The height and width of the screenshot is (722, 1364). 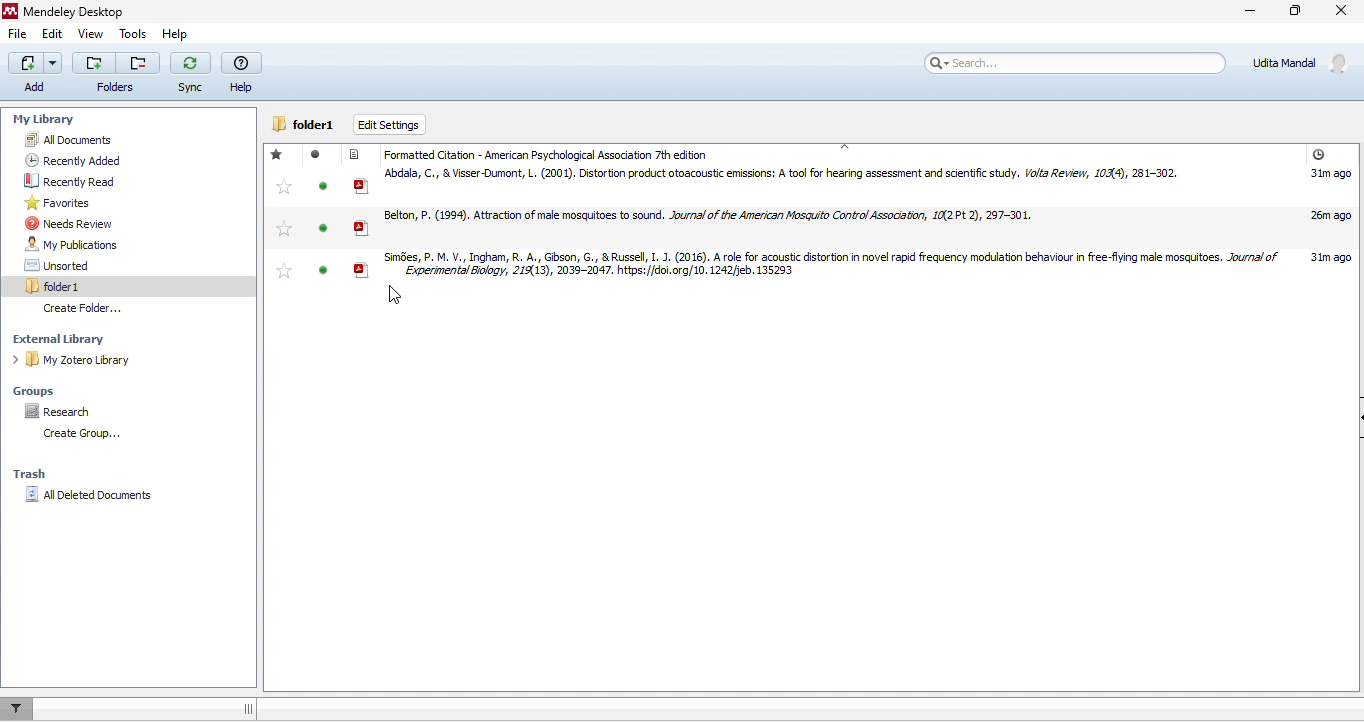 What do you see at coordinates (188, 74) in the screenshot?
I see `sync` at bounding box center [188, 74].